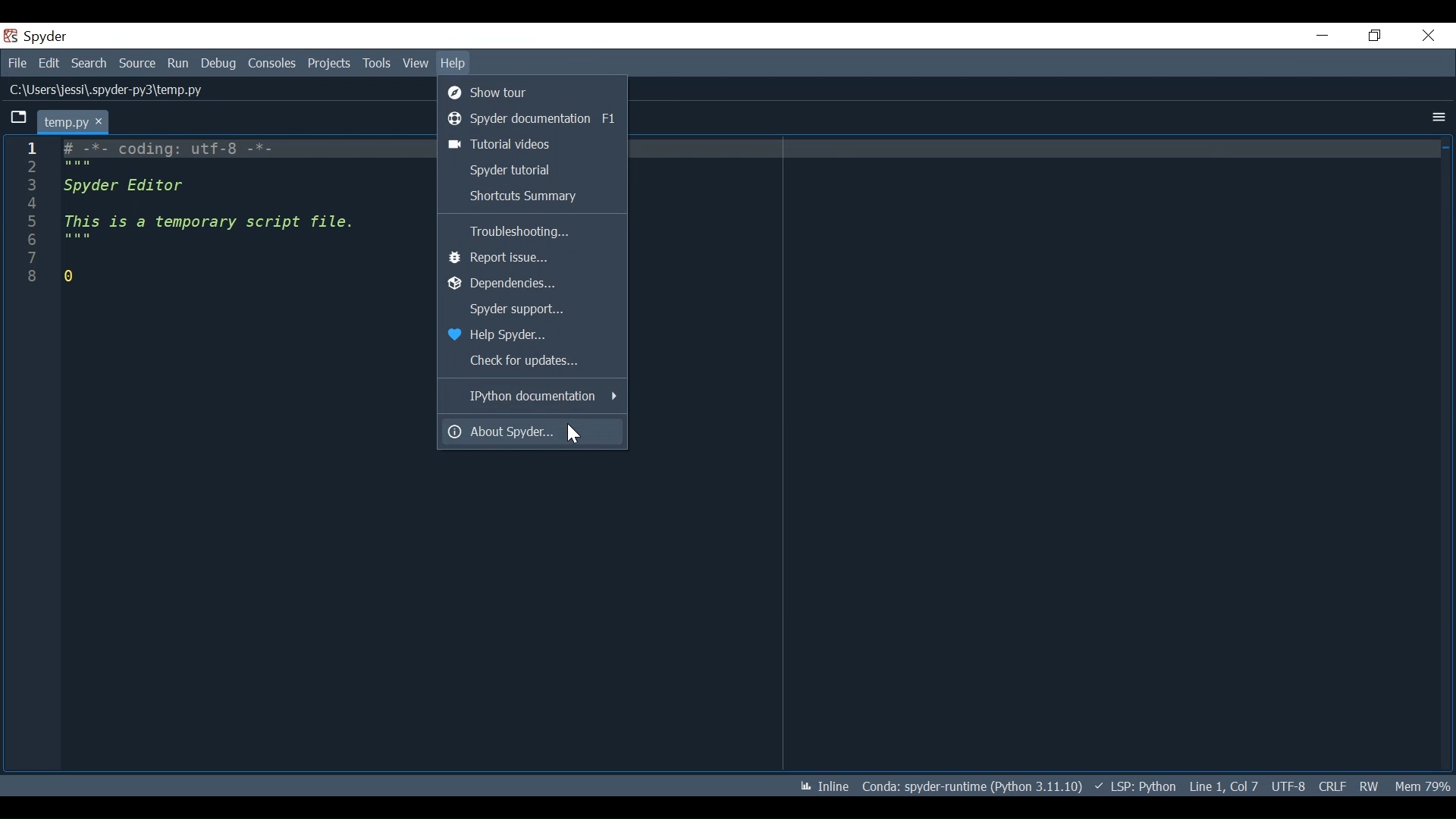 Image resolution: width=1456 pixels, height=819 pixels. Describe the element at coordinates (1223, 784) in the screenshot. I see `Line 1, Col 7` at that location.